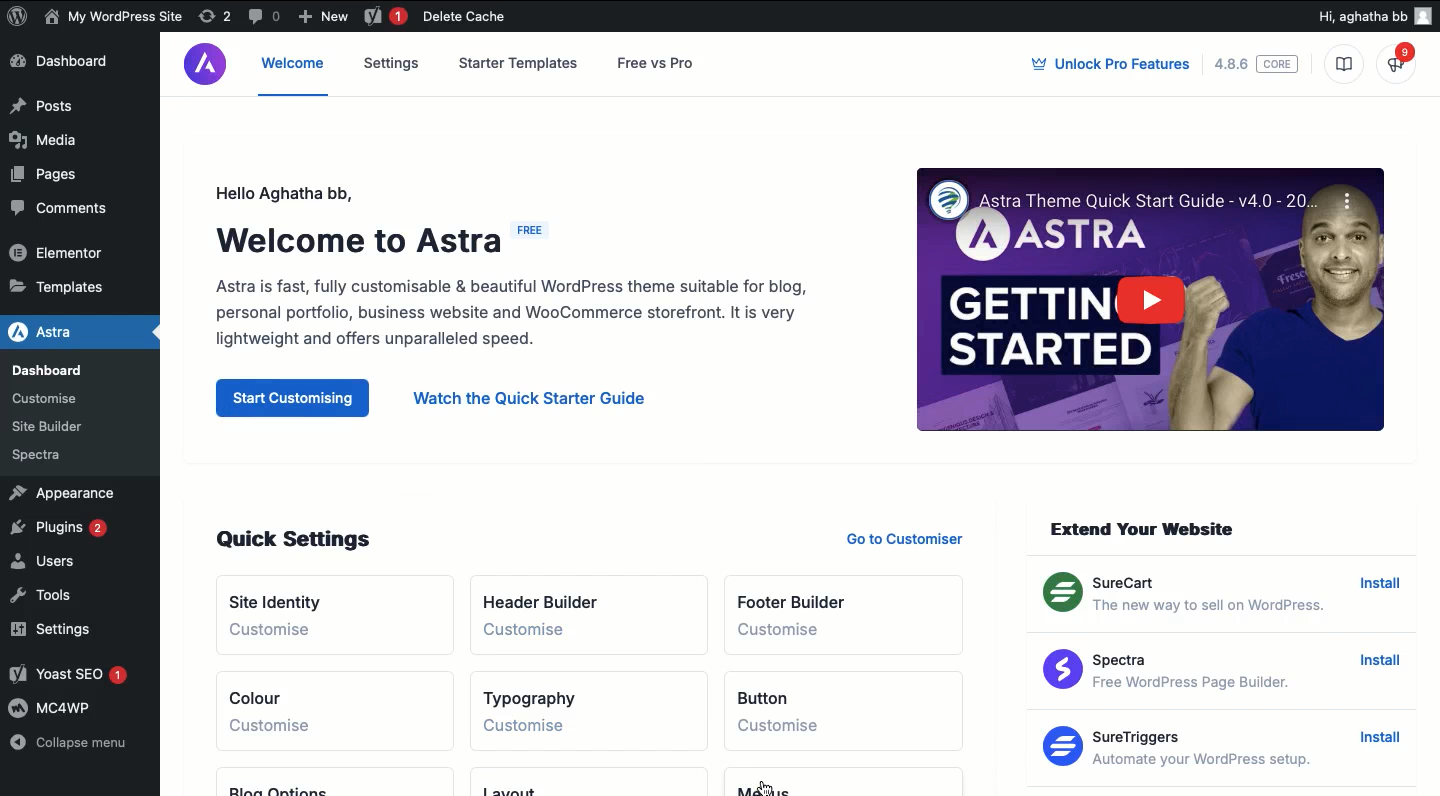  I want to click on New, so click(327, 18).